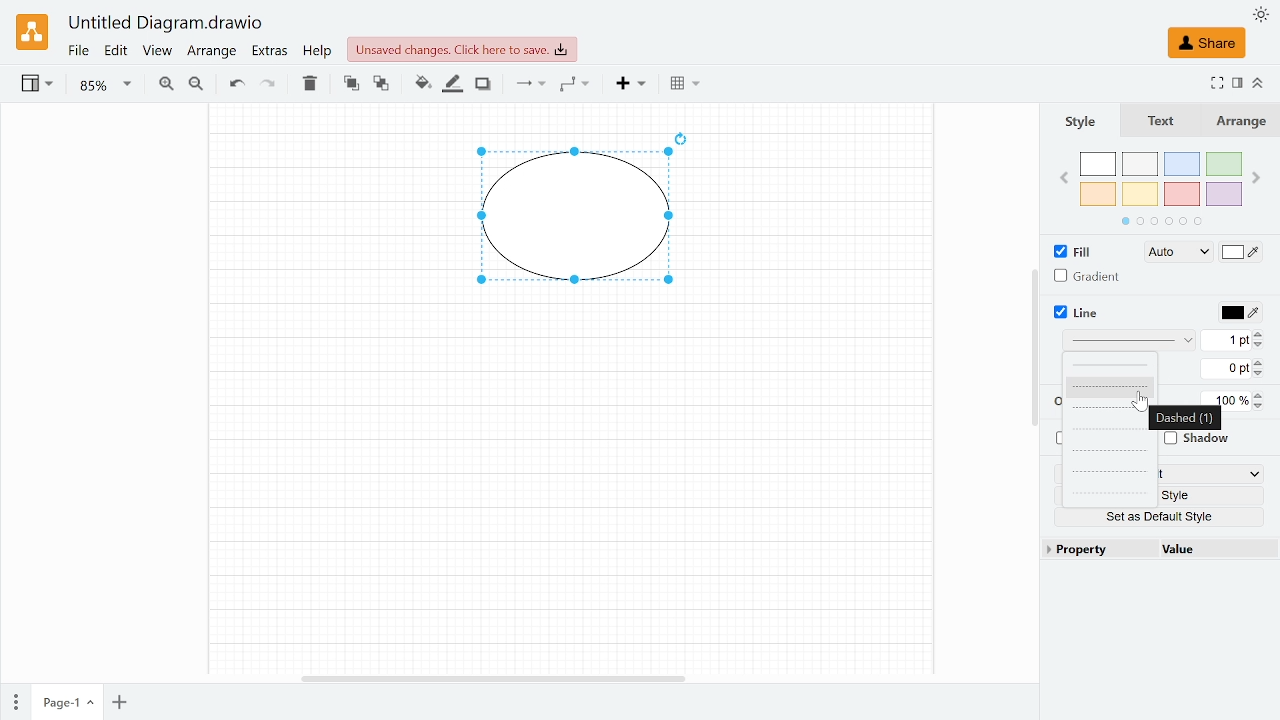 This screenshot has width=1280, height=720. Describe the element at coordinates (1256, 82) in the screenshot. I see `Collapse` at that location.